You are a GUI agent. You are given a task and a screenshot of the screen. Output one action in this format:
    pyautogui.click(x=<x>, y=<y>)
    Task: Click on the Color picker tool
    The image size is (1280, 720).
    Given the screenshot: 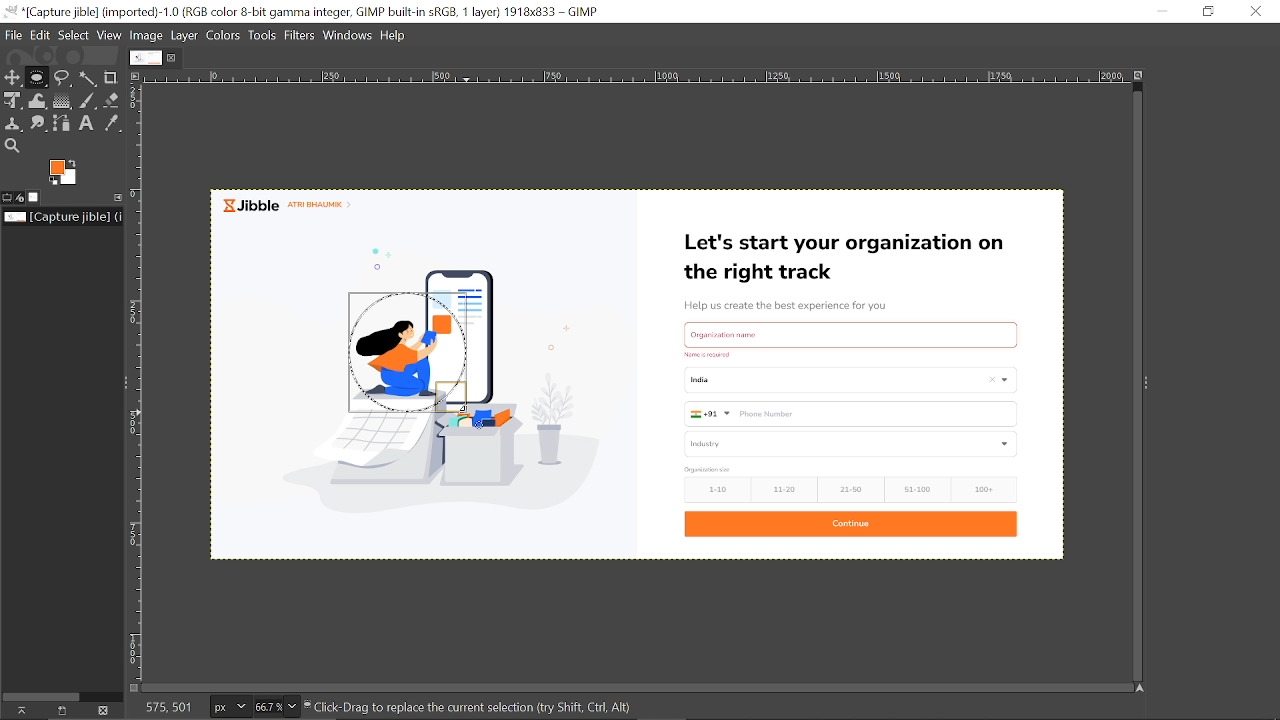 What is the action you would take?
    pyautogui.click(x=111, y=124)
    